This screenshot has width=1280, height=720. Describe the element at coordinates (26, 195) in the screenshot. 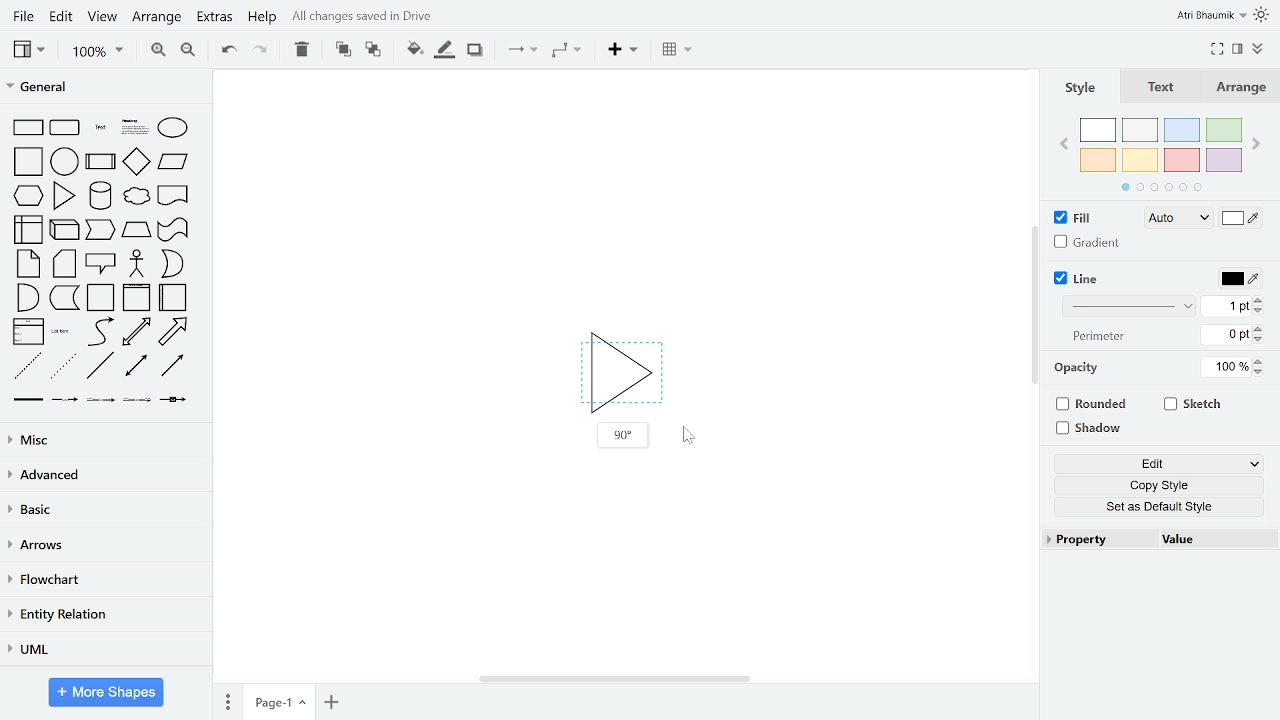

I see `hexagon` at that location.